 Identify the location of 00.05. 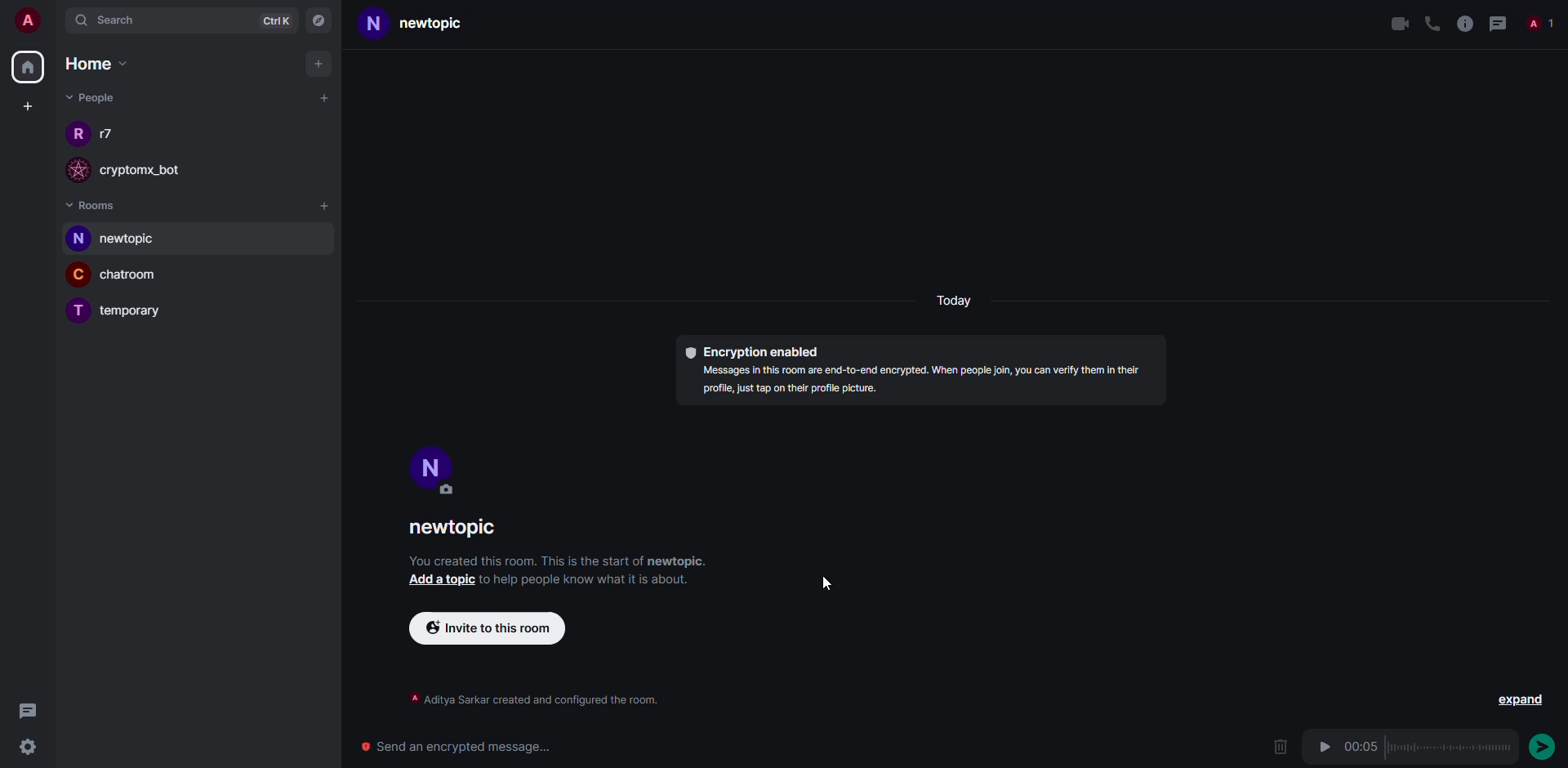
(1363, 746).